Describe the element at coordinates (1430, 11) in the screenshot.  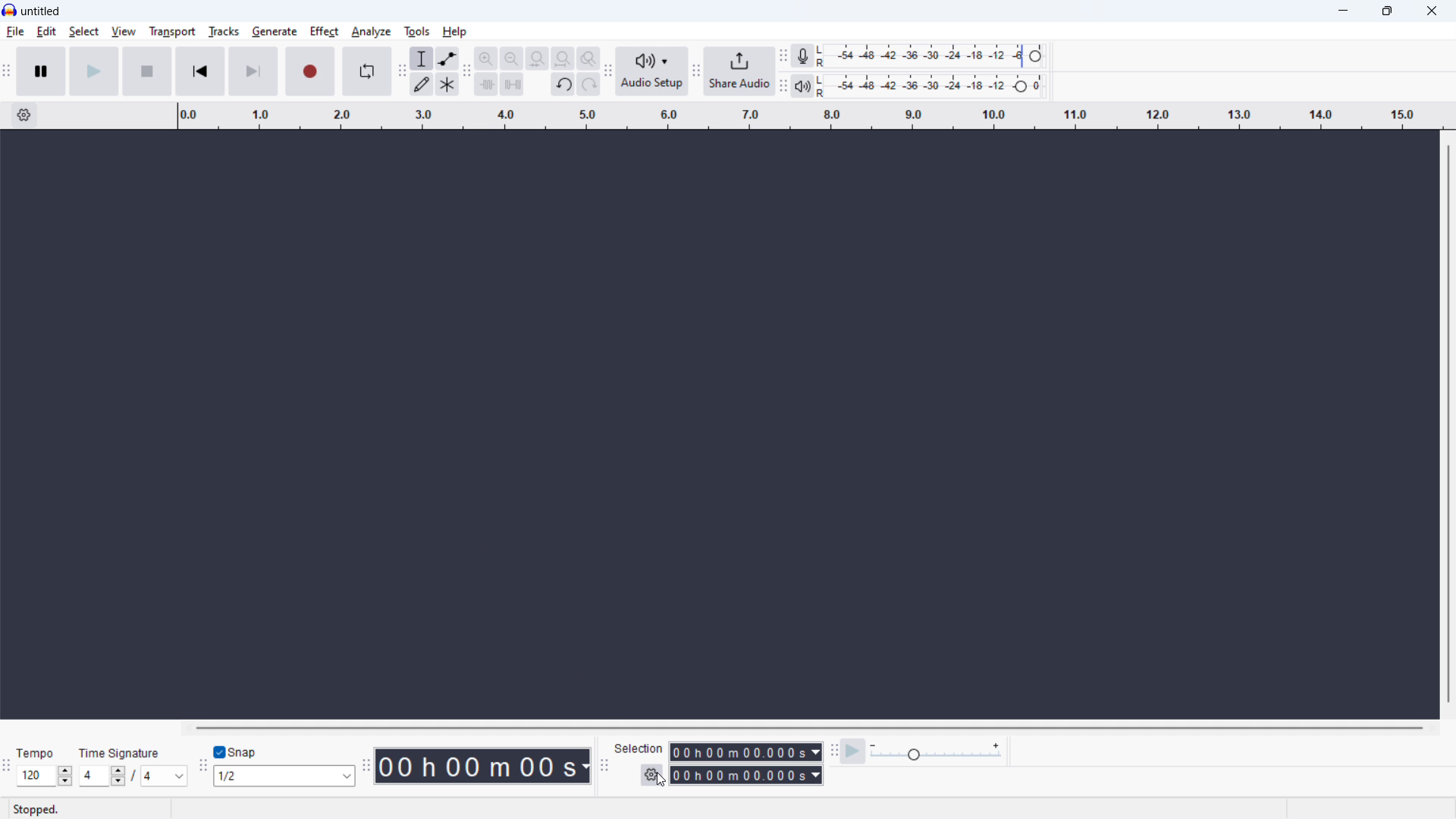
I see `close` at that location.